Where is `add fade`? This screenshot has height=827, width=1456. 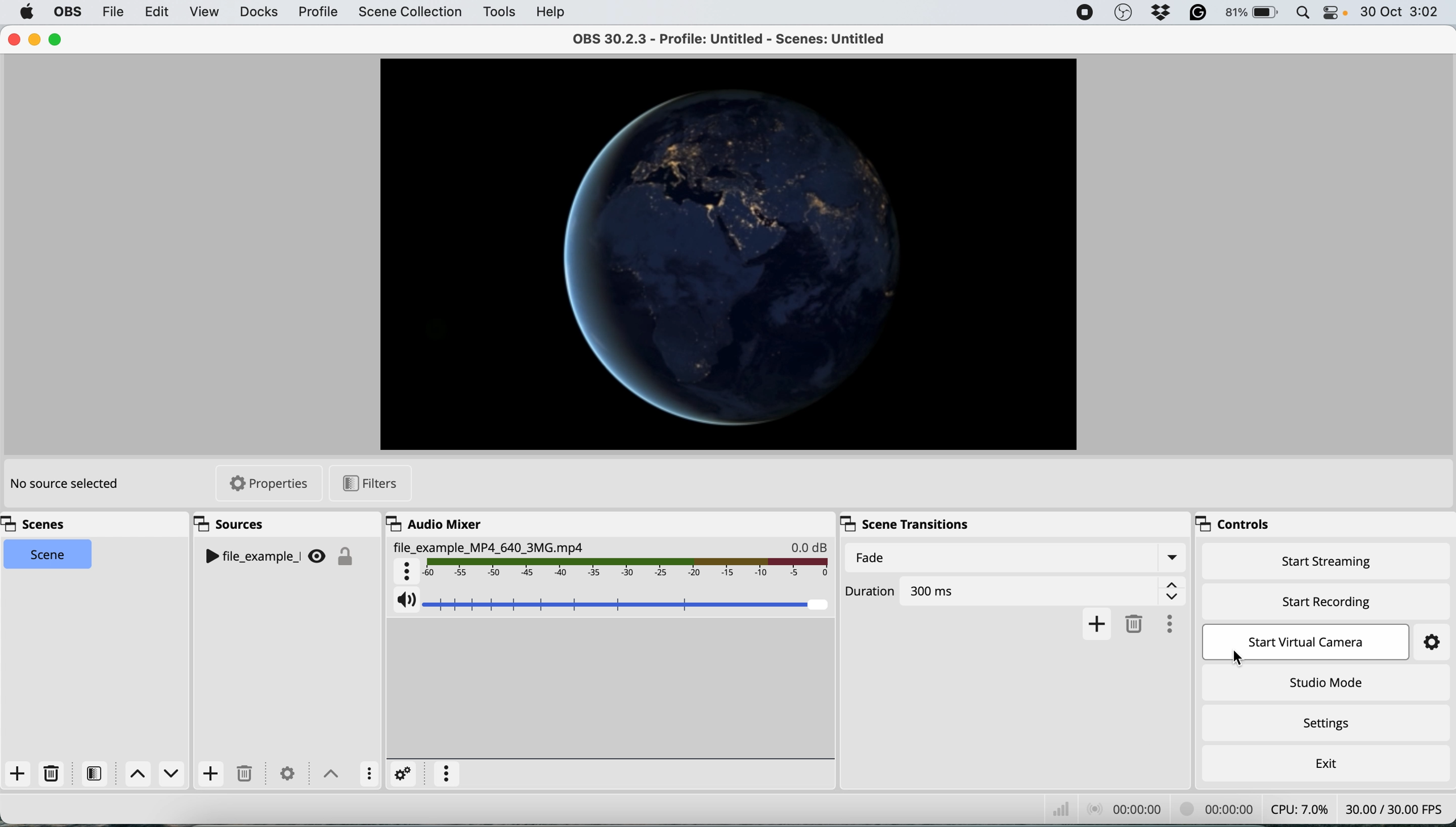
add fade is located at coordinates (1093, 624).